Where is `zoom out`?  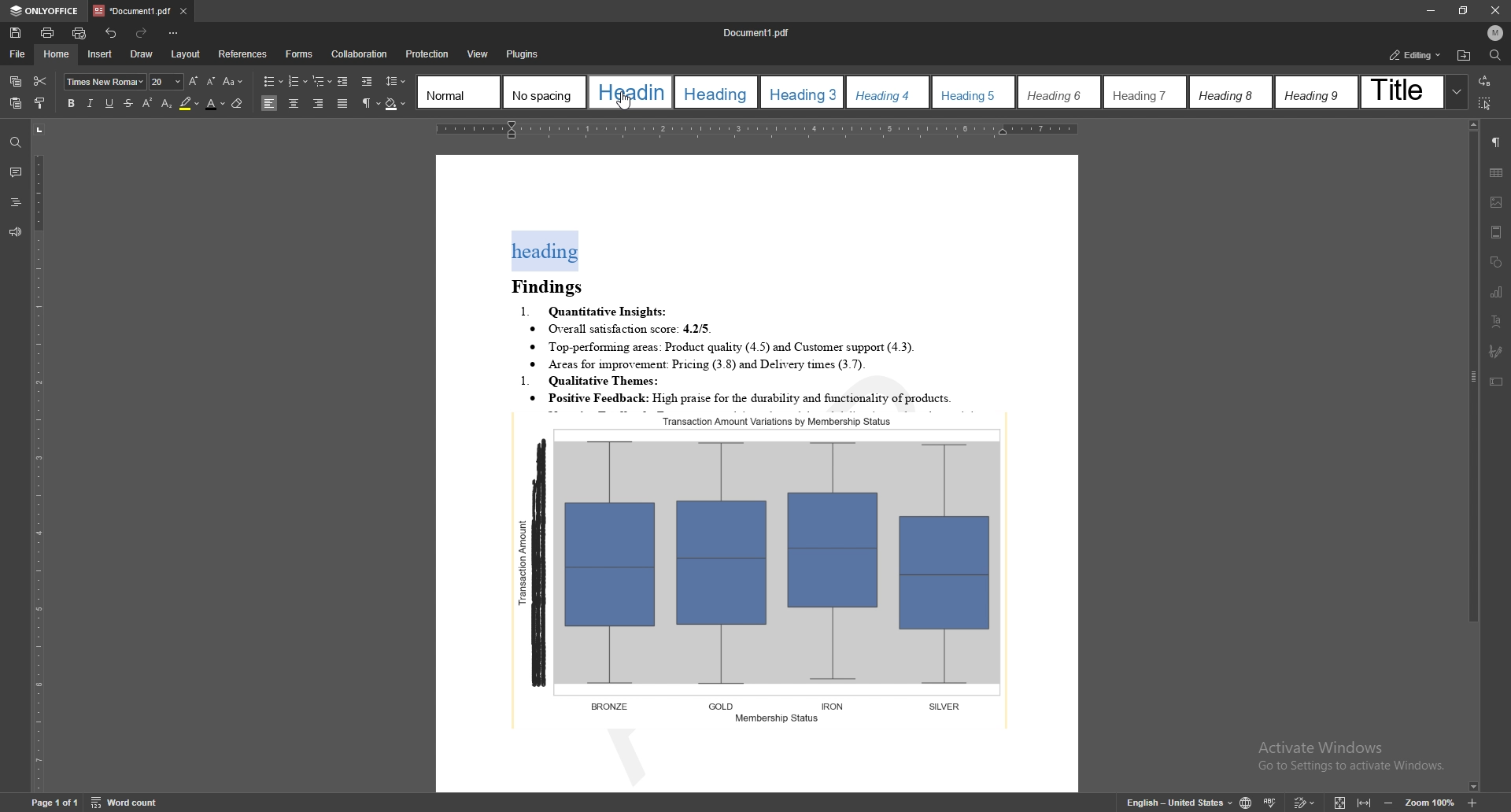
zoom out is located at coordinates (1391, 803).